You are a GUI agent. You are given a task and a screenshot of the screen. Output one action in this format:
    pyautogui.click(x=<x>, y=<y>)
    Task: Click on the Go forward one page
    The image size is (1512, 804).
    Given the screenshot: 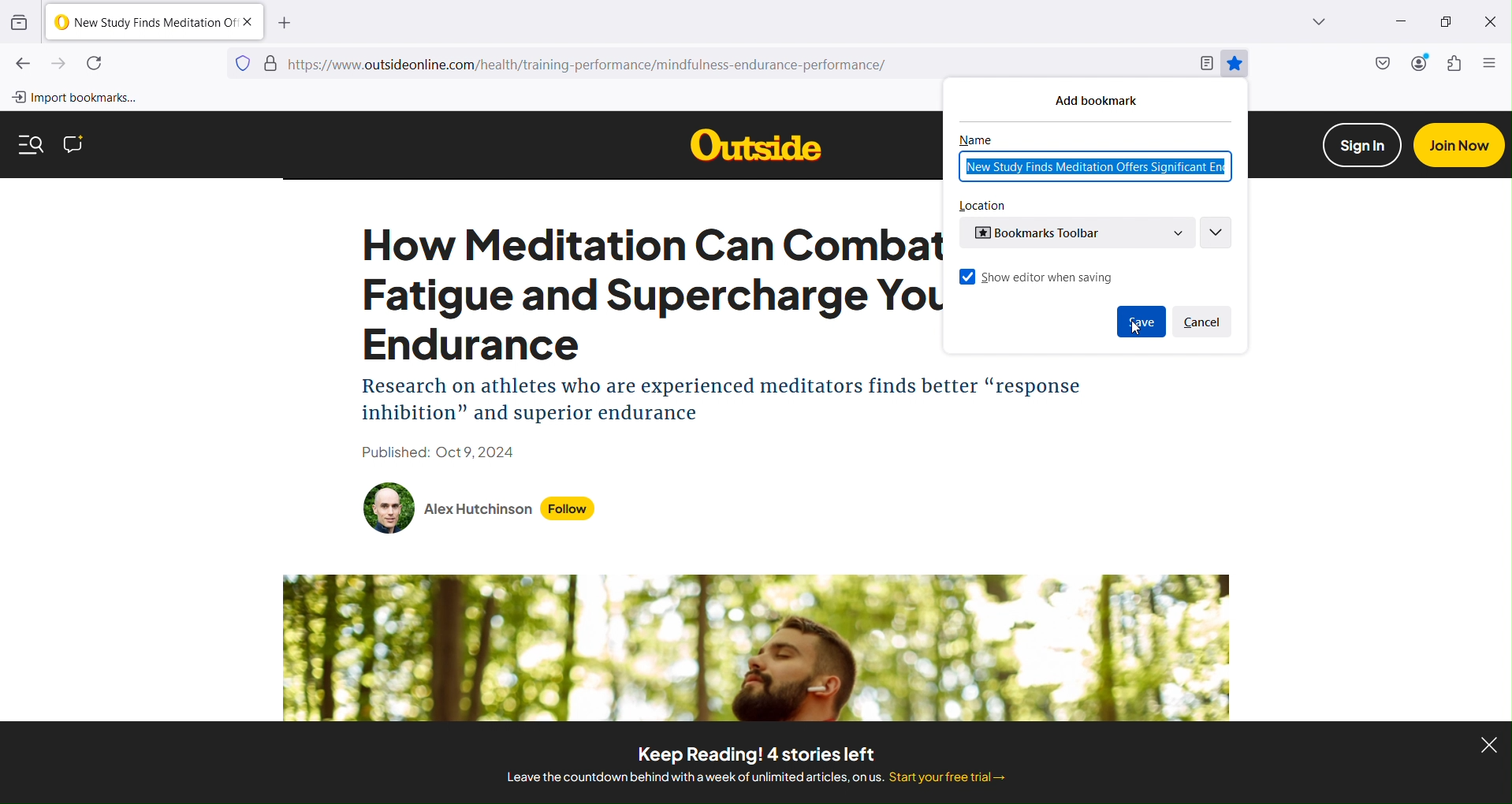 What is the action you would take?
    pyautogui.click(x=59, y=65)
    